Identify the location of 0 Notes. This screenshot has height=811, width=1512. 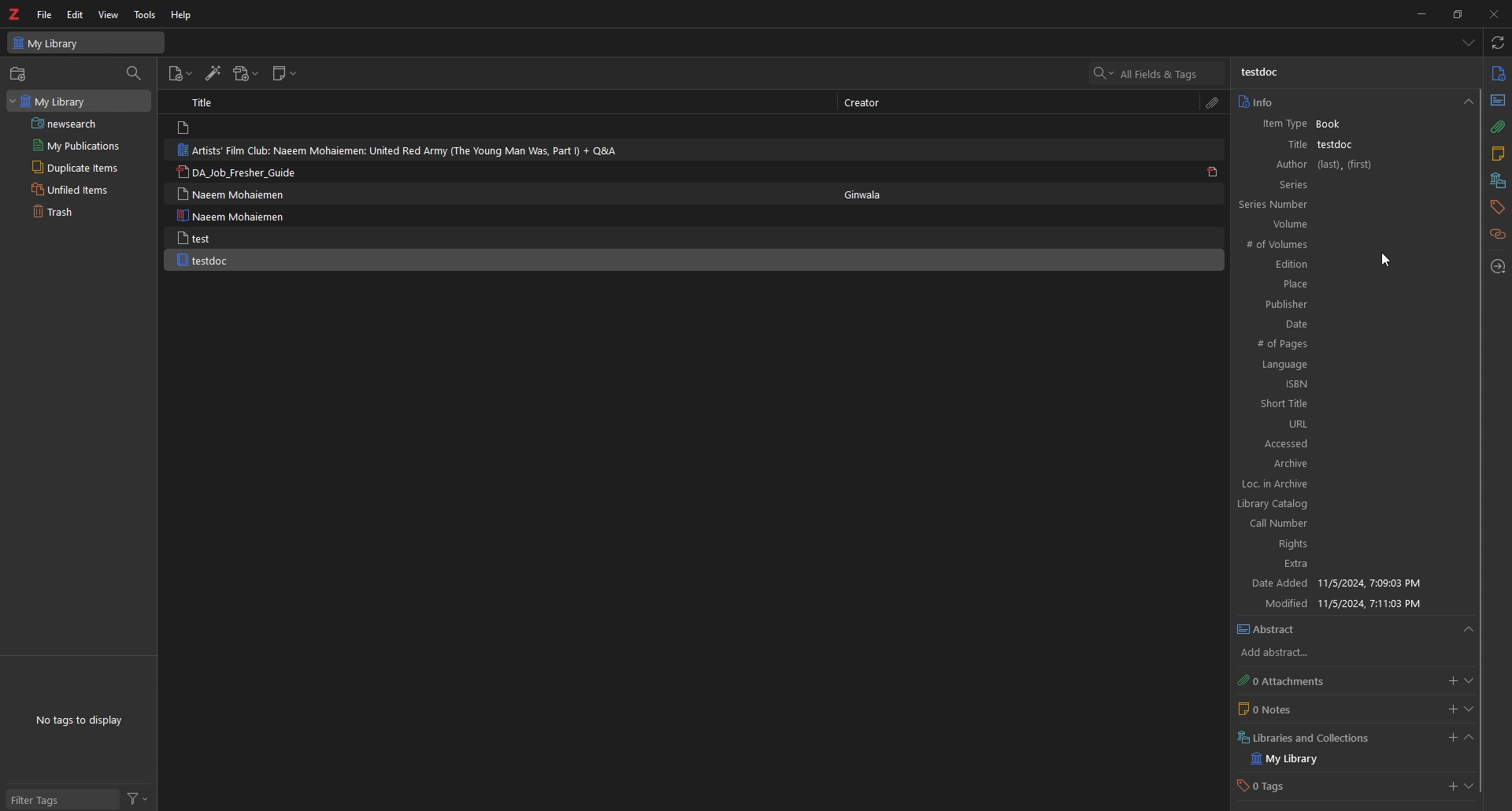
(1273, 709).